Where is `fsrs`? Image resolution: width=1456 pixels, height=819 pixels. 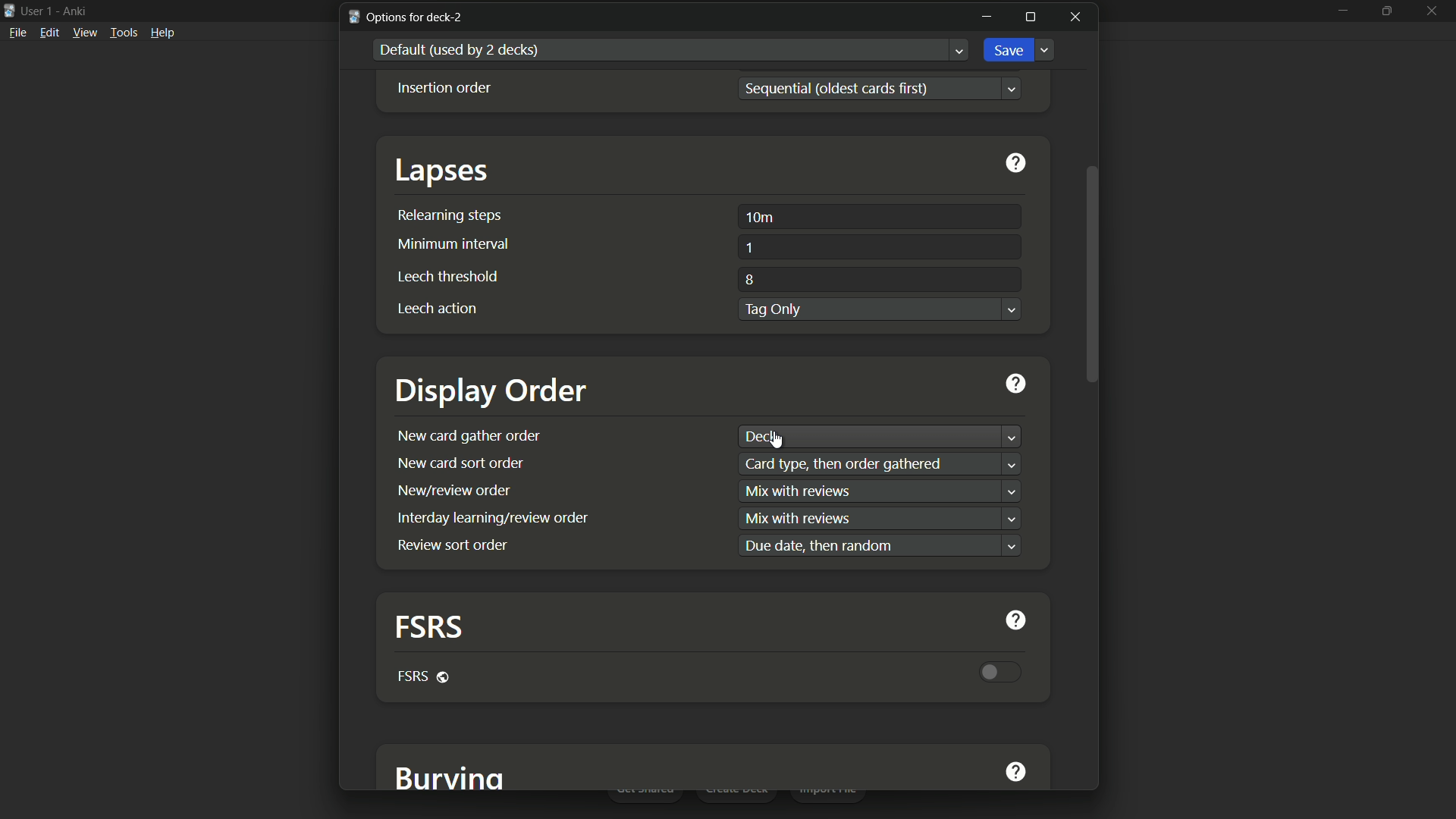 fsrs is located at coordinates (425, 626).